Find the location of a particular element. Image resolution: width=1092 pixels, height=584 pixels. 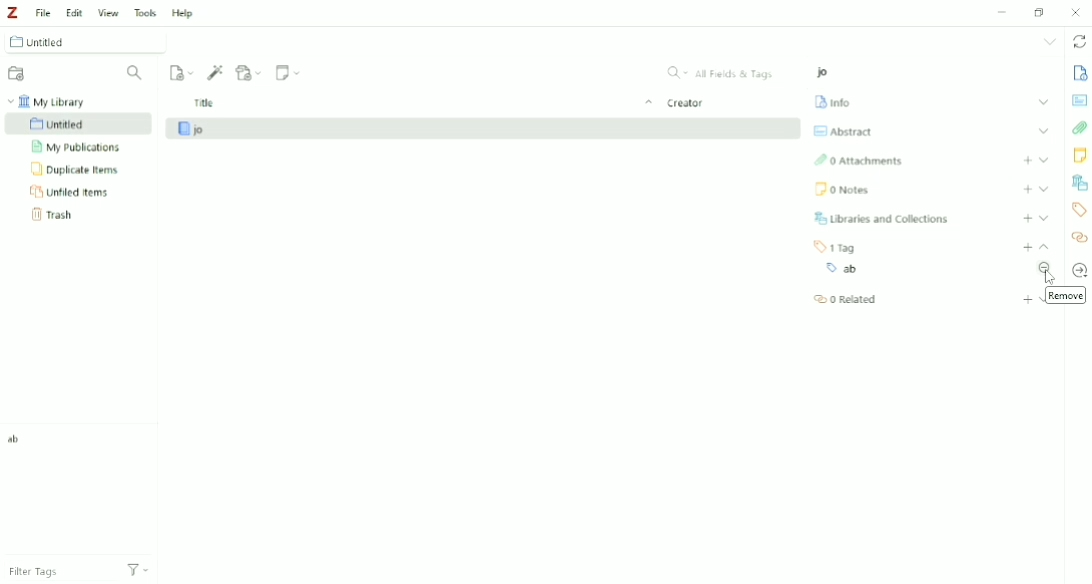

jo is located at coordinates (824, 72).